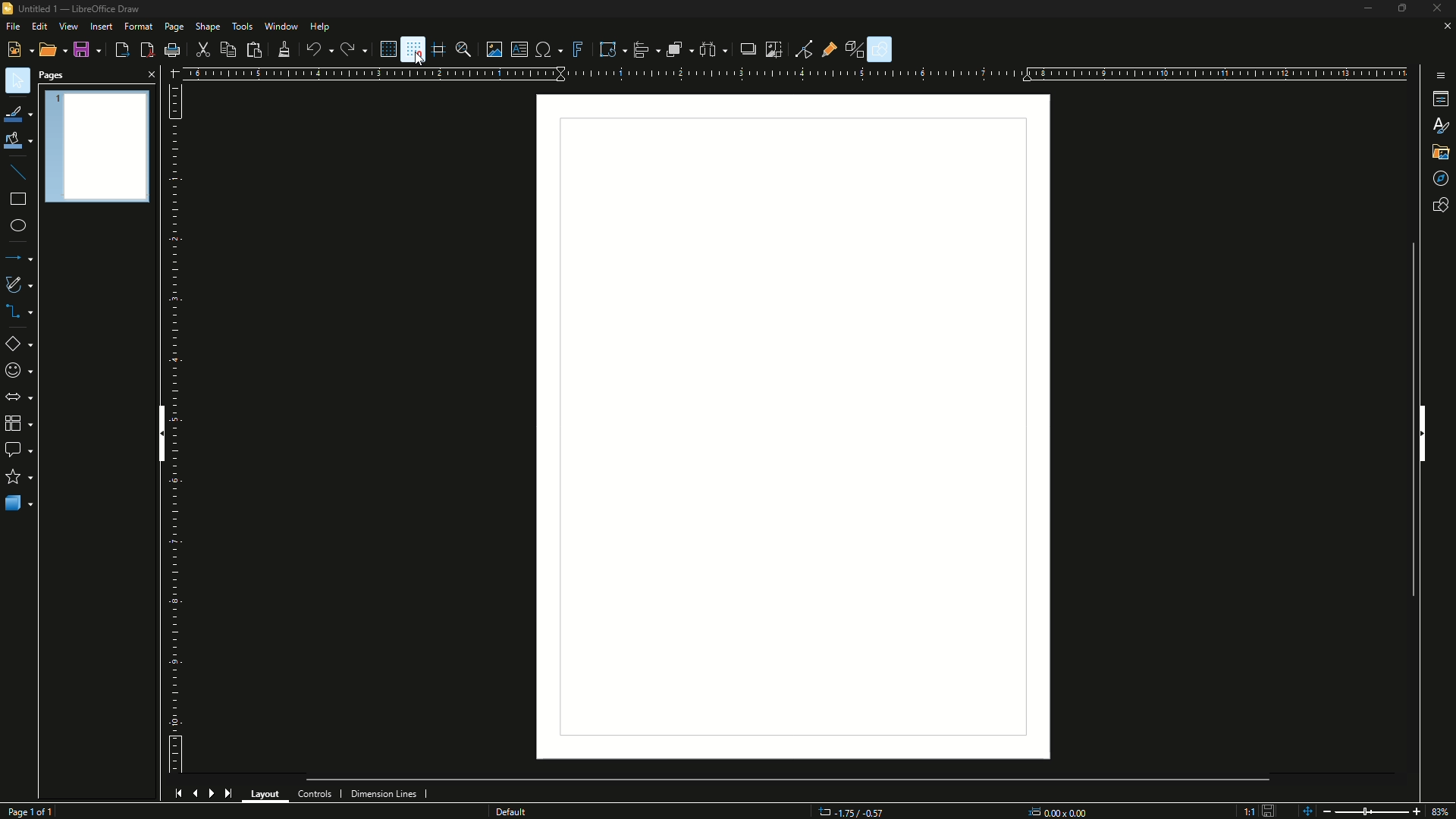 The image size is (1456, 819). What do you see at coordinates (1258, 808) in the screenshot?
I see `Save Icon` at bounding box center [1258, 808].